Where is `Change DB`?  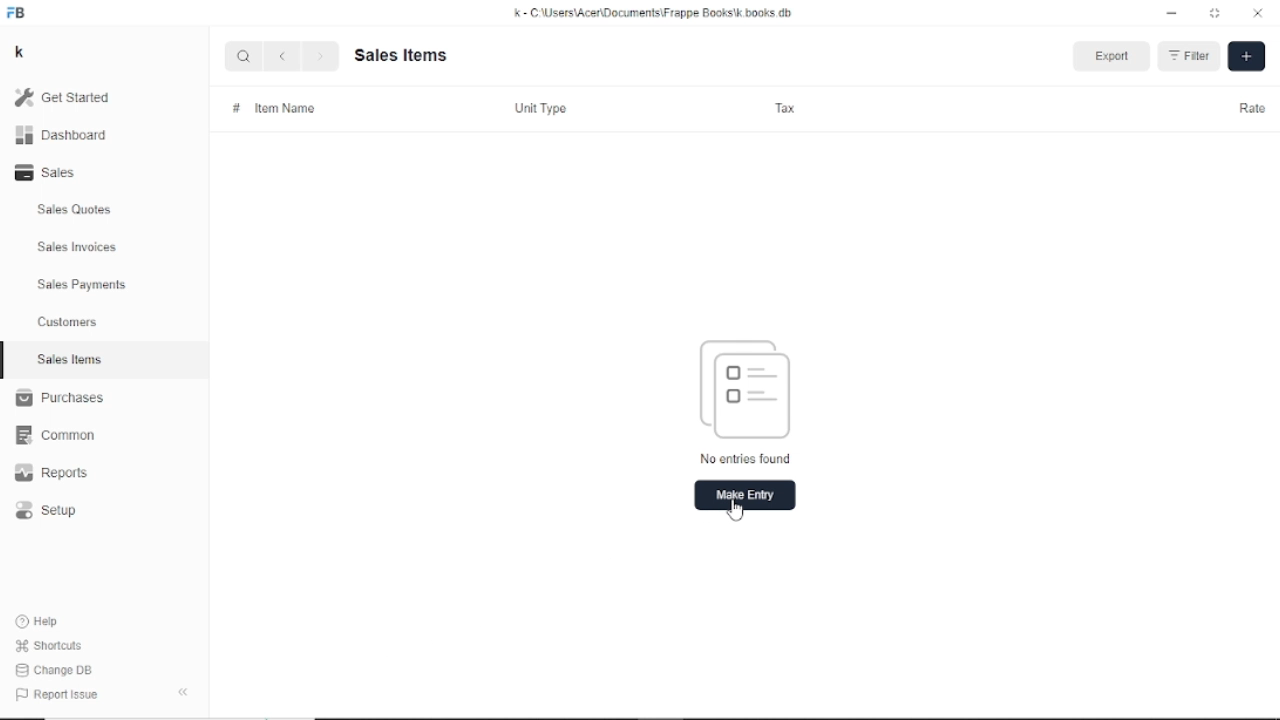
Change DB is located at coordinates (57, 671).